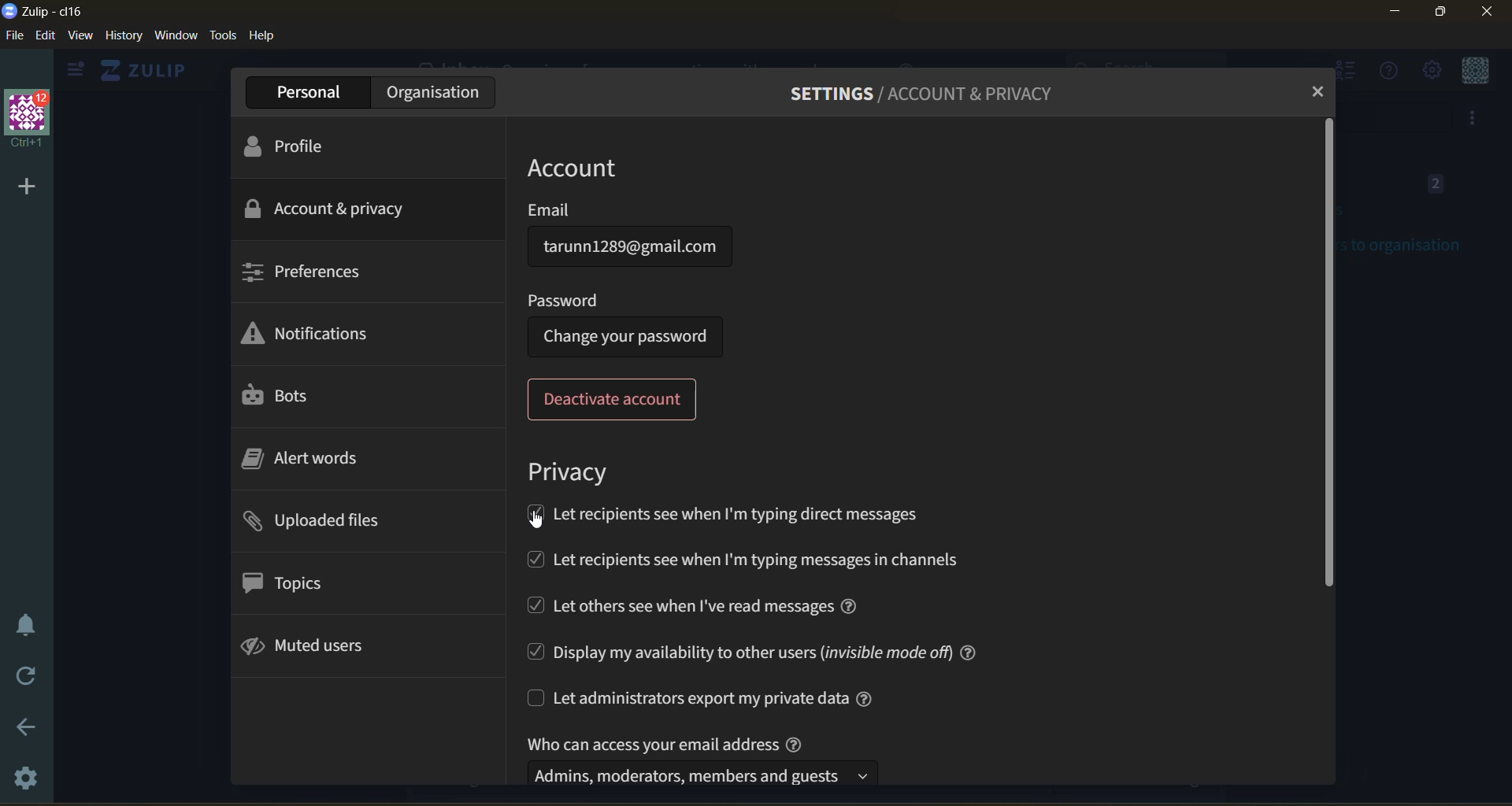  Describe the element at coordinates (124, 38) in the screenshot. I see `history` at that location.